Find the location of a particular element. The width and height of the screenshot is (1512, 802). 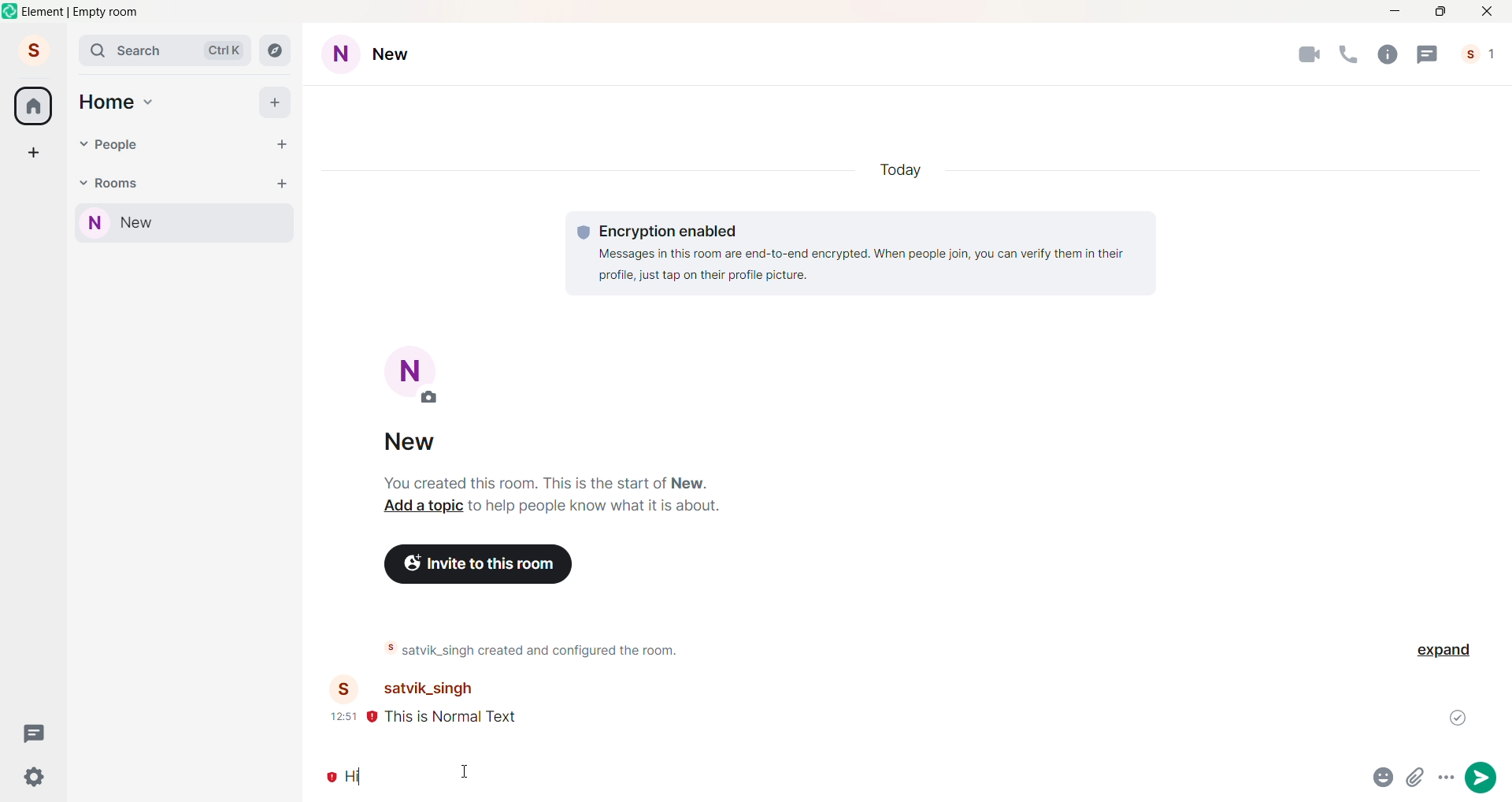

Current Room is located at coordinates (187, 224).